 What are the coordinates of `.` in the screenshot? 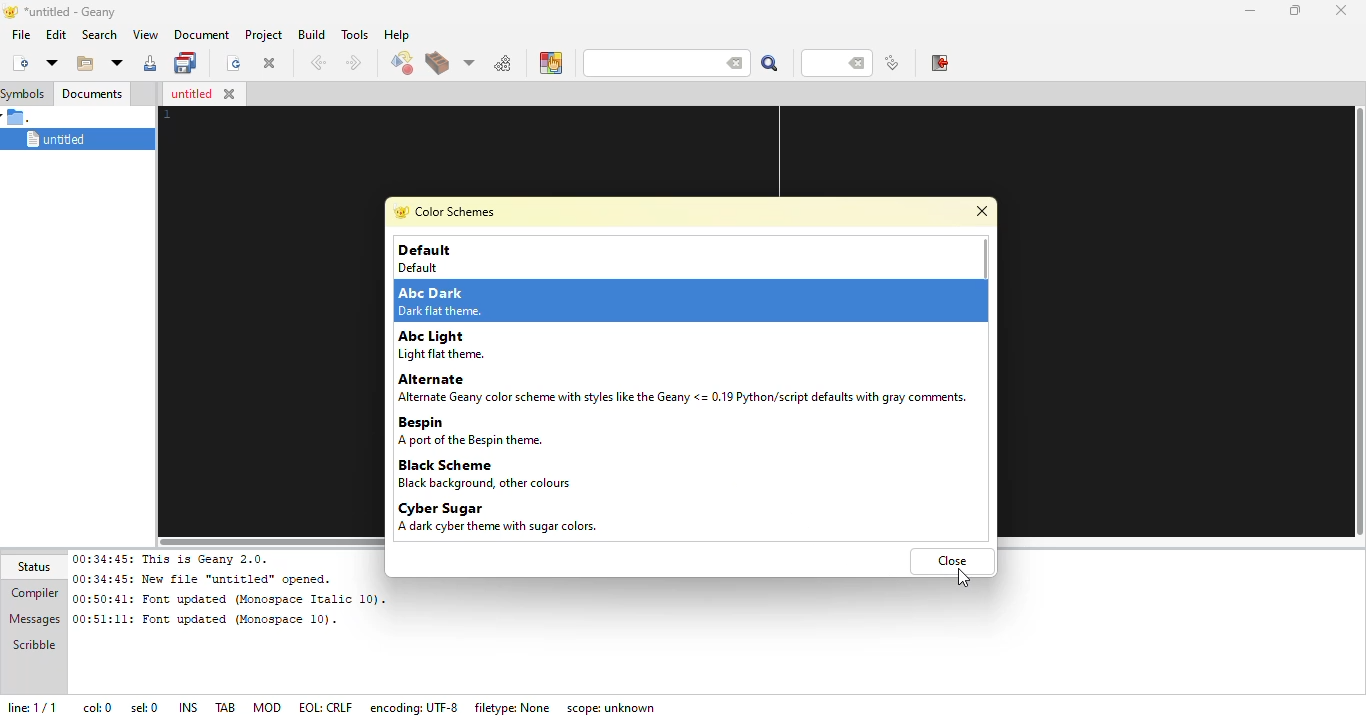 It's located at (20, 117).